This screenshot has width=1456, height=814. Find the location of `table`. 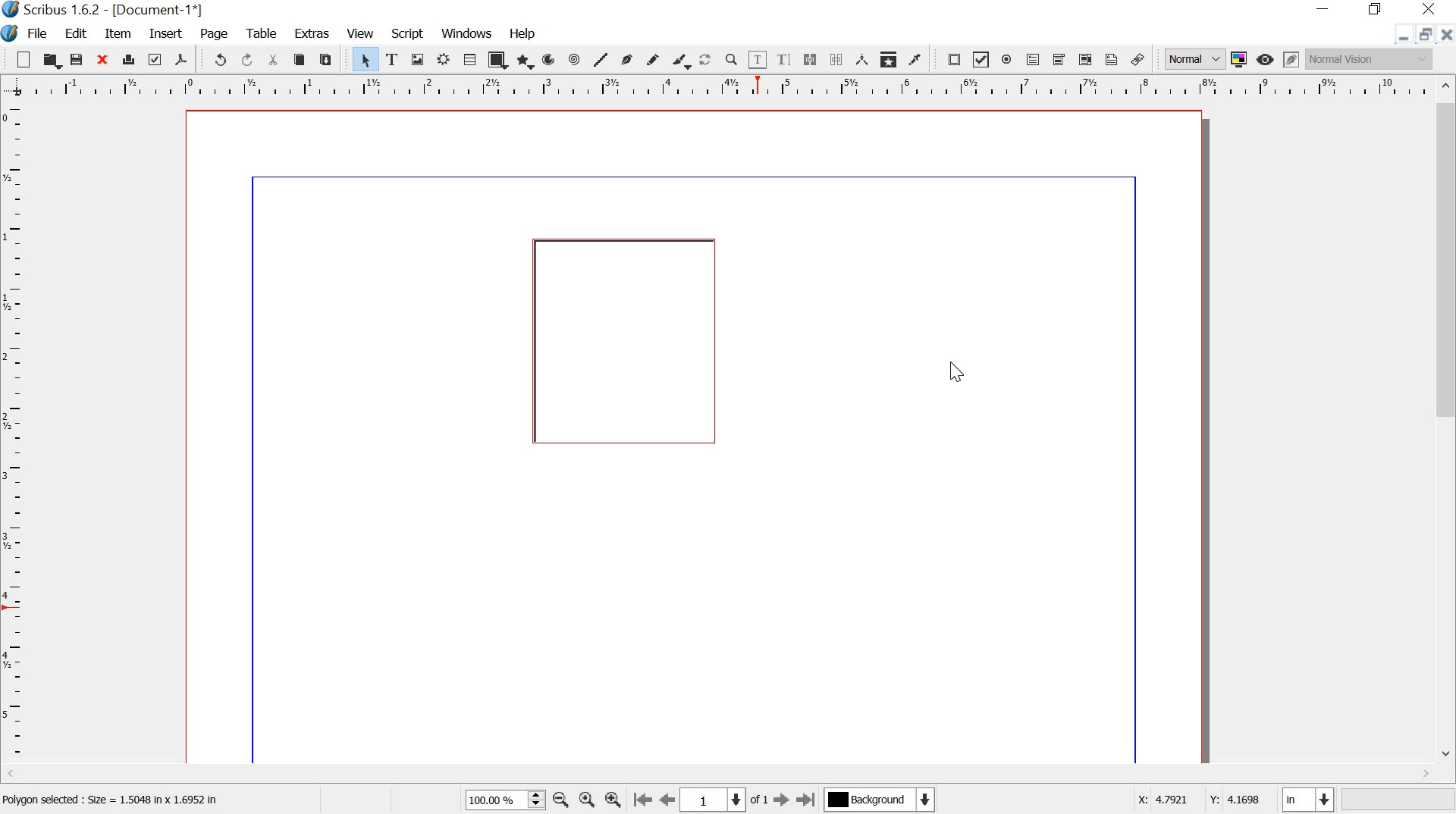

table is located at coordinates (263, 34).